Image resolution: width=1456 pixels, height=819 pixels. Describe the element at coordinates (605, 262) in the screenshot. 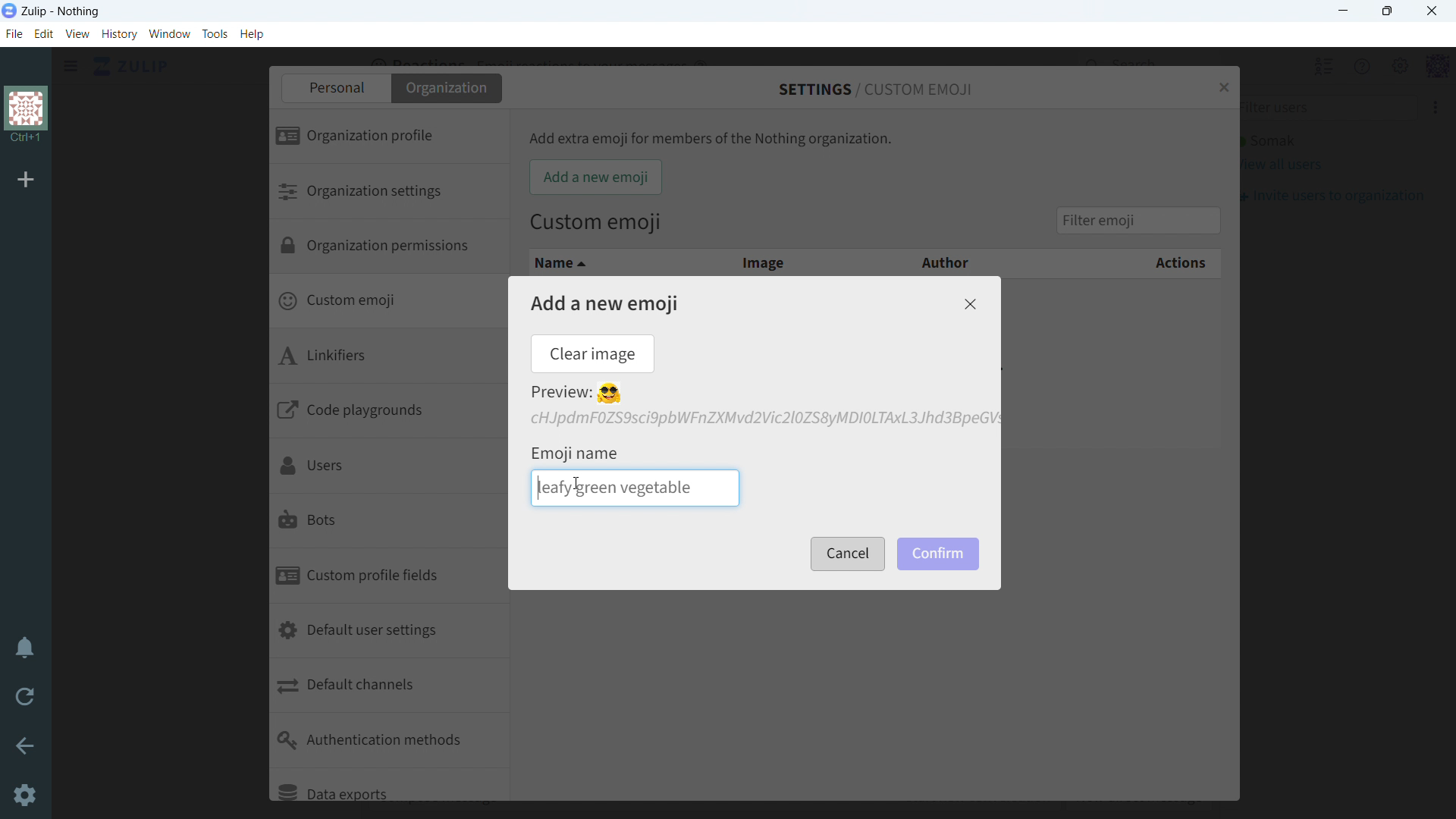

I see `name` at that location.